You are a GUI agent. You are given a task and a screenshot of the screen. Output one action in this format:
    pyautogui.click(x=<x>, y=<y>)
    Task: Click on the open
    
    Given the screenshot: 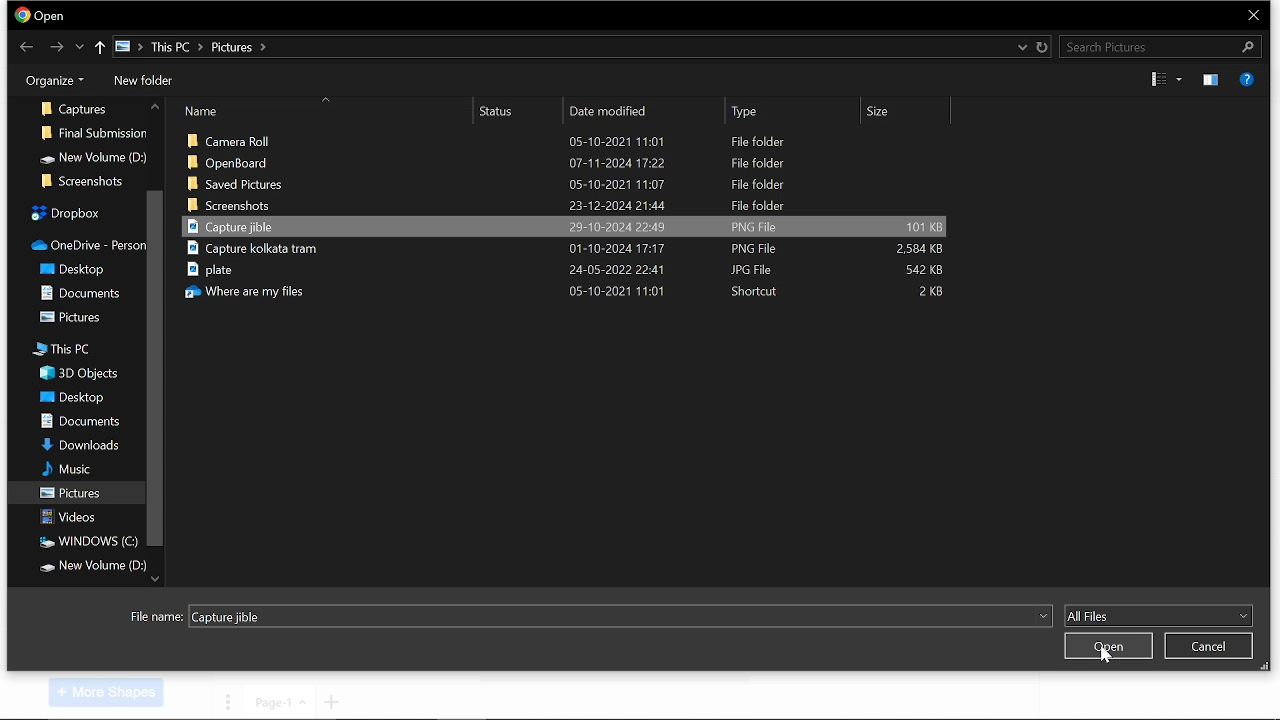 What is the action you would take?
    pyautogui.click(x=1106, y=646)
    